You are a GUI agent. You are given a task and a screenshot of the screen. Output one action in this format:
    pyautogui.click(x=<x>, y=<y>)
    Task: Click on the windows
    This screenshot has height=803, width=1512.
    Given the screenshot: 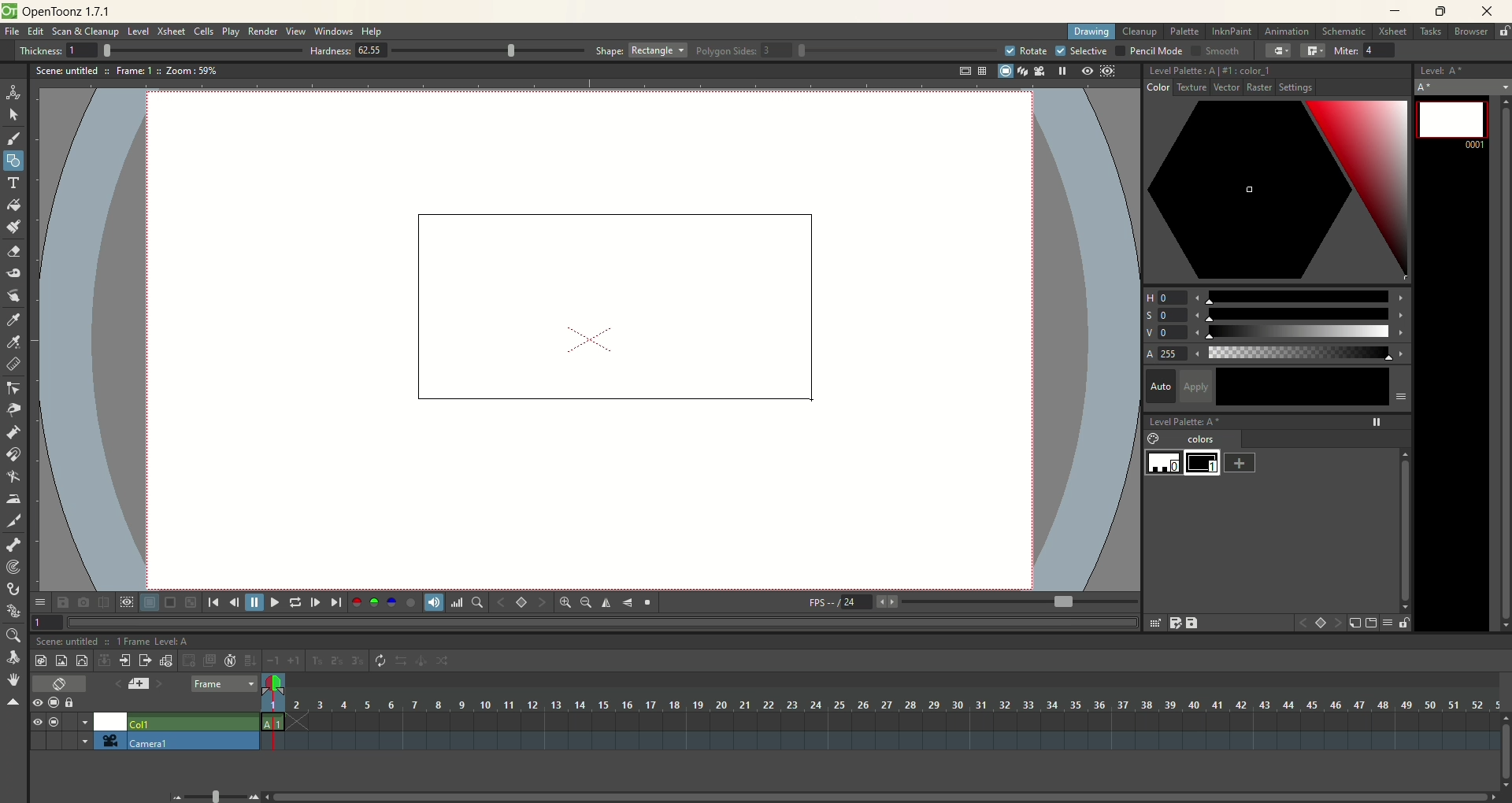 What is the action you would take?
    pyautogui.click(x=335, y=31)
    